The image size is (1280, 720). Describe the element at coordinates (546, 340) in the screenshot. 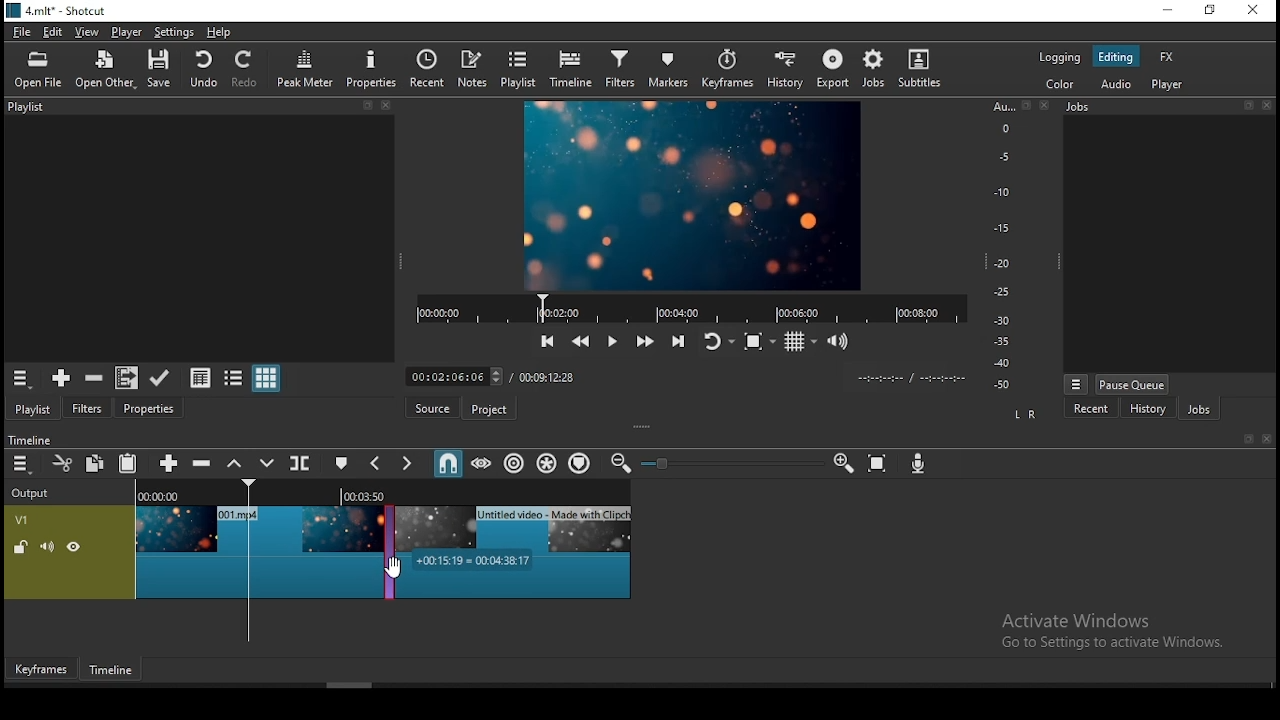

I see `skip to the previous point` at that location.